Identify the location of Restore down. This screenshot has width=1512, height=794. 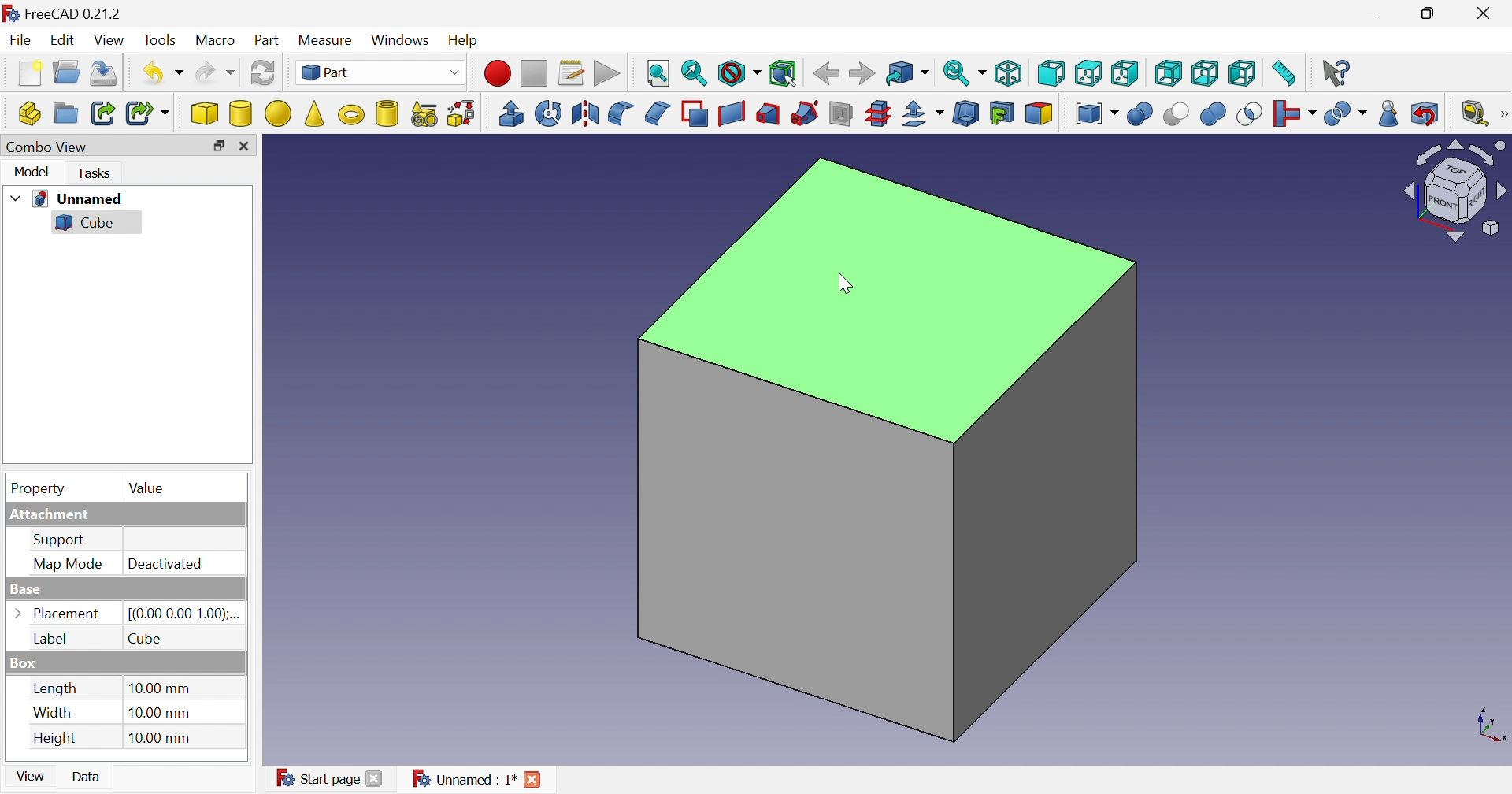
(218, 147).